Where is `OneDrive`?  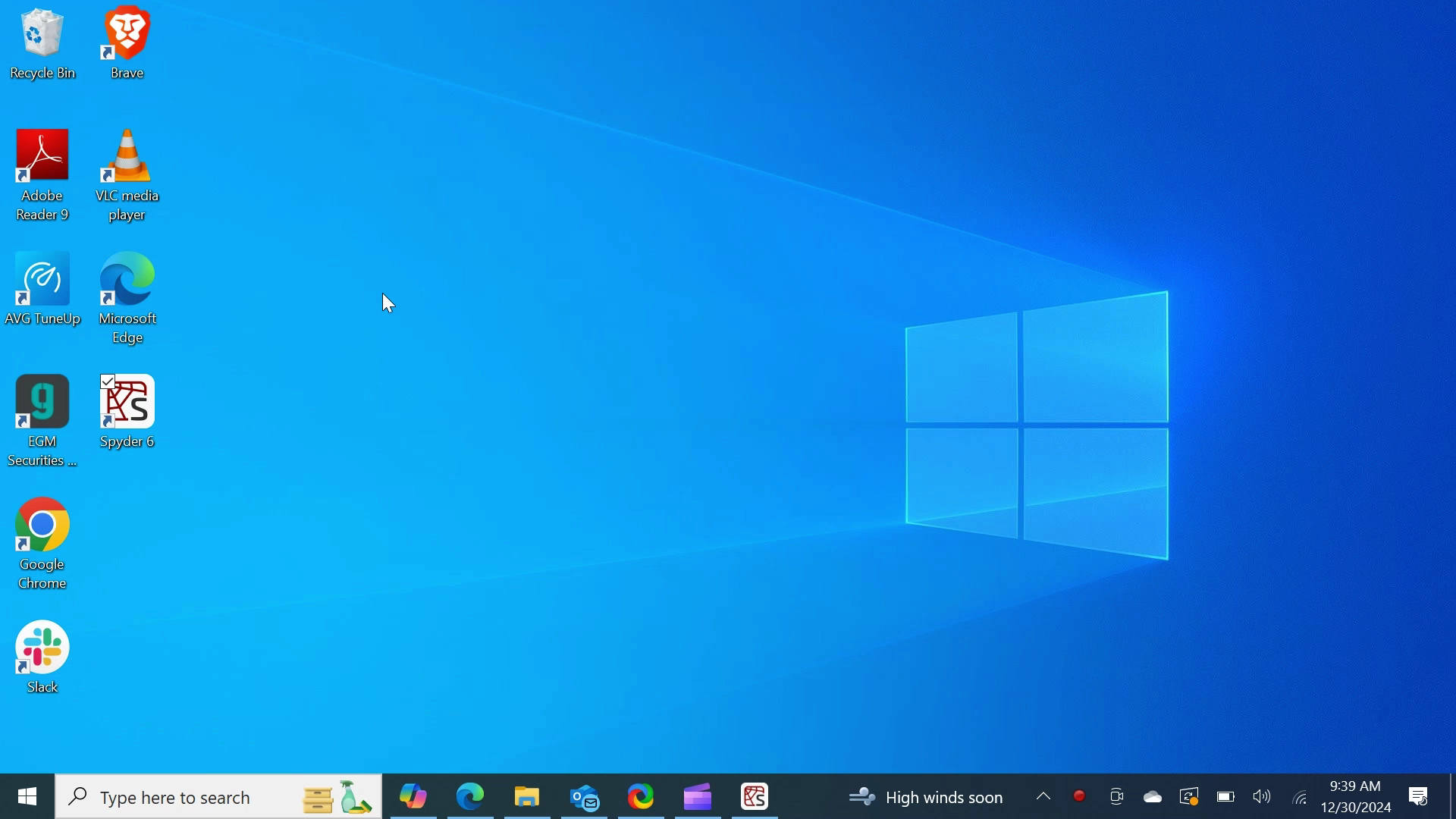
OneDrive is located at coordinates (1150, 795).